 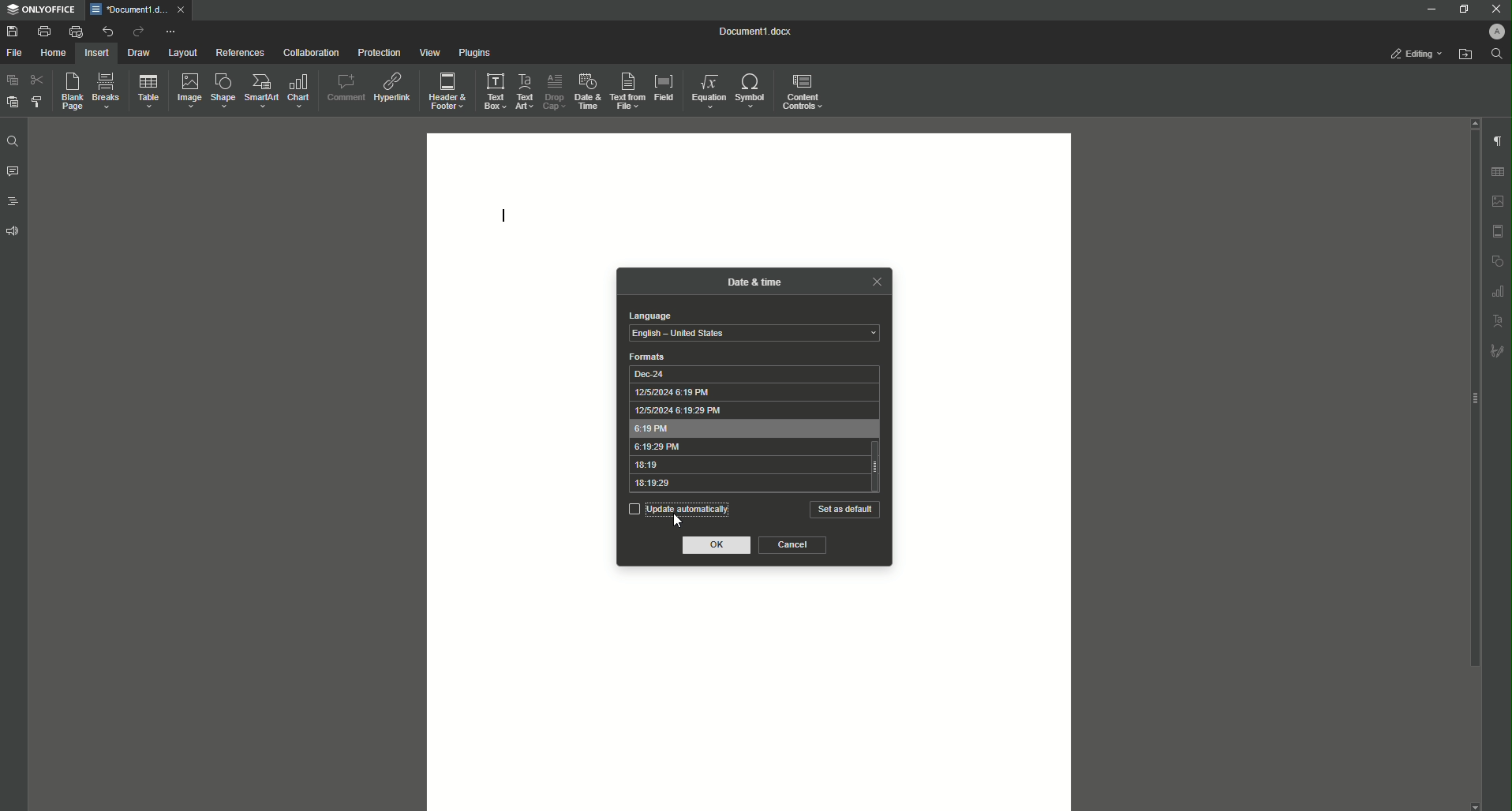 What do you see at coordinates (13, 172) in the screenshot?
I see `Comments` at bounding box center [13, 172].